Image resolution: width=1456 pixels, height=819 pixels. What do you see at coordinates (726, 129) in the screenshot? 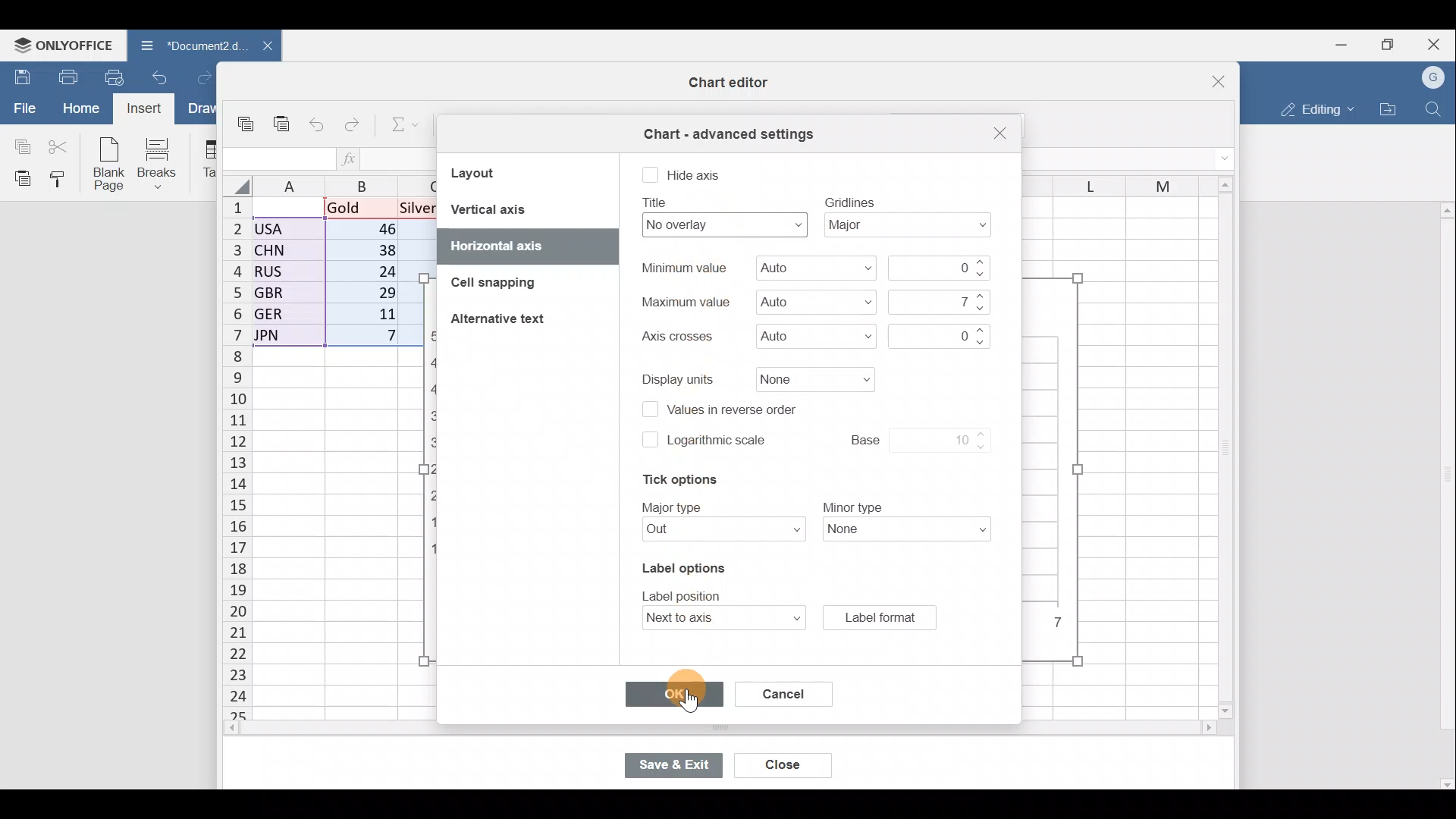
I see `Chart advanced settings` at bounding box center [726, 129].